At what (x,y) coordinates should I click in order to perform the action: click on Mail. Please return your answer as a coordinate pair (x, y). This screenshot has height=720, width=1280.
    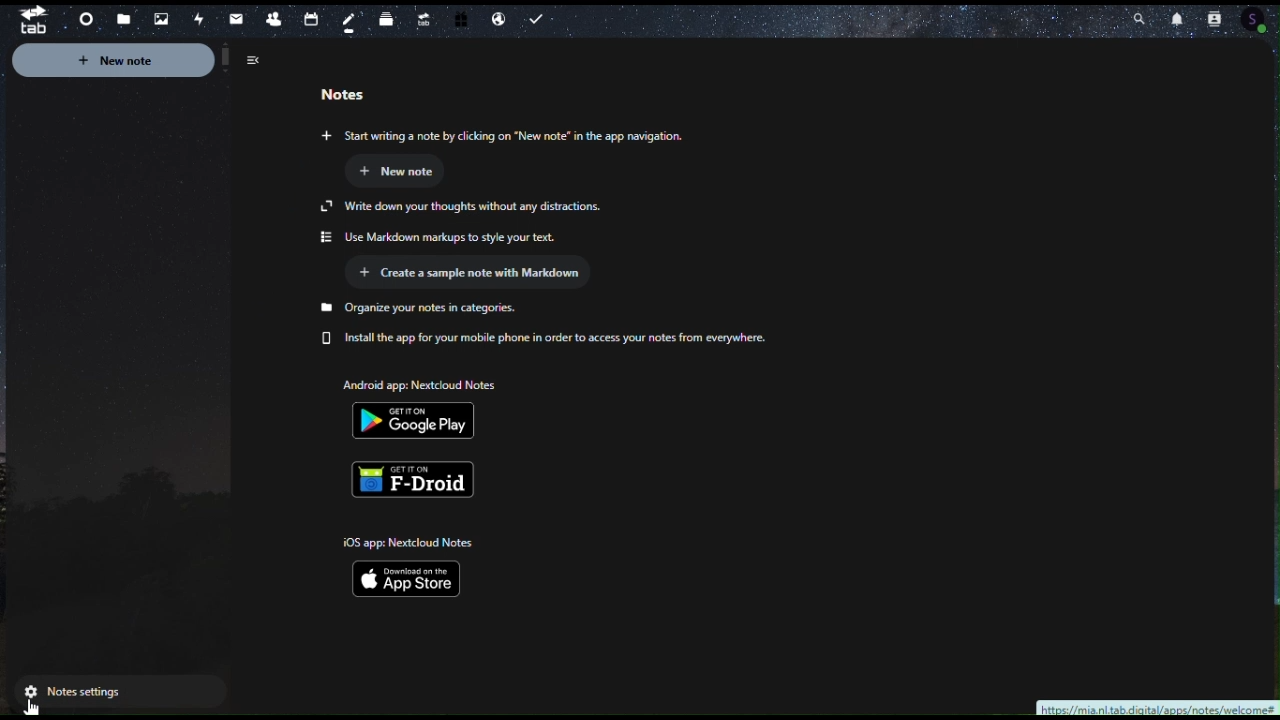
    Looking at the image, I should click on (237, 20).